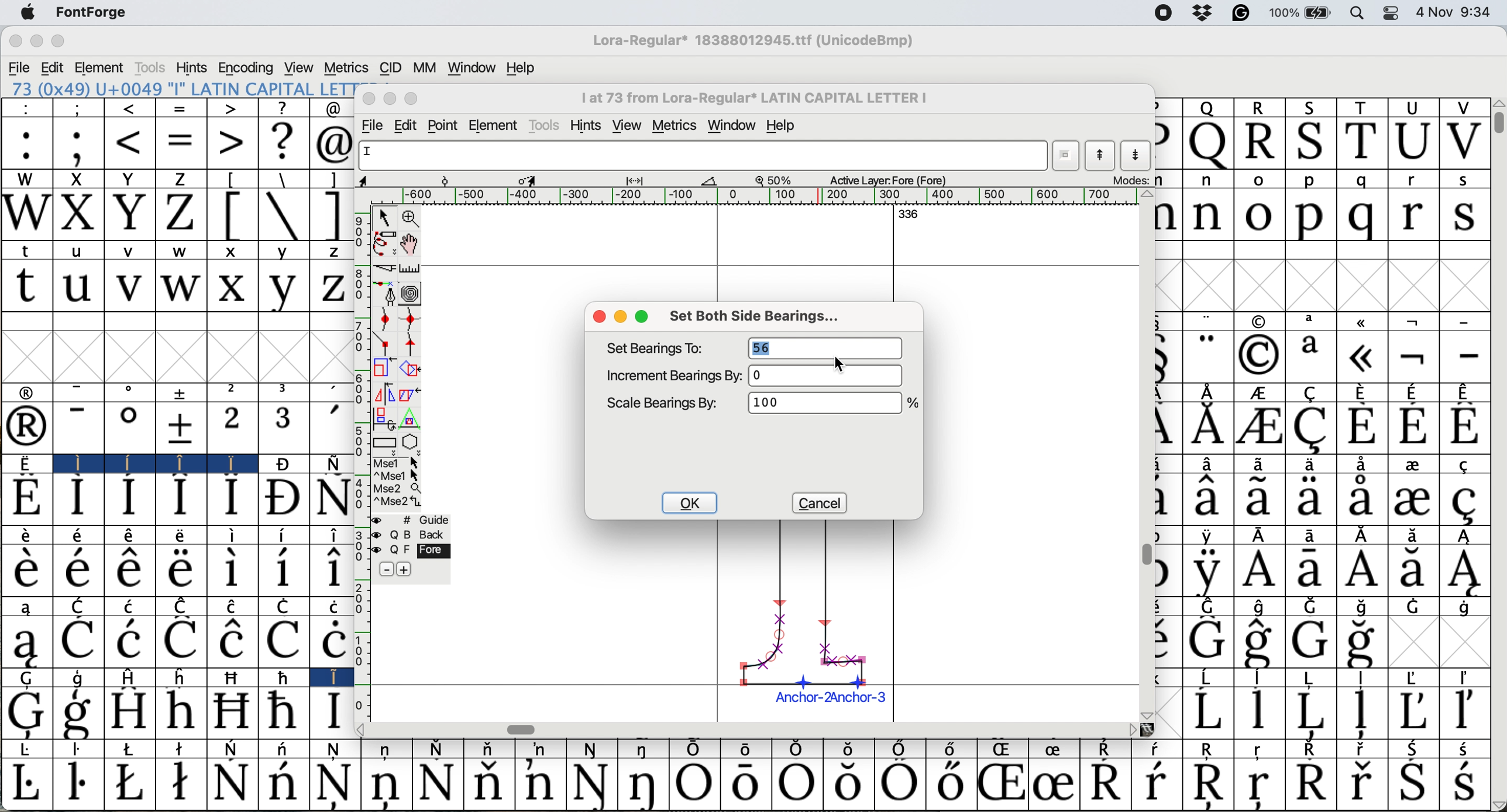 The height and width of the screenshot is (812, 1507). I want to click on Symbol, so click(285, 748).